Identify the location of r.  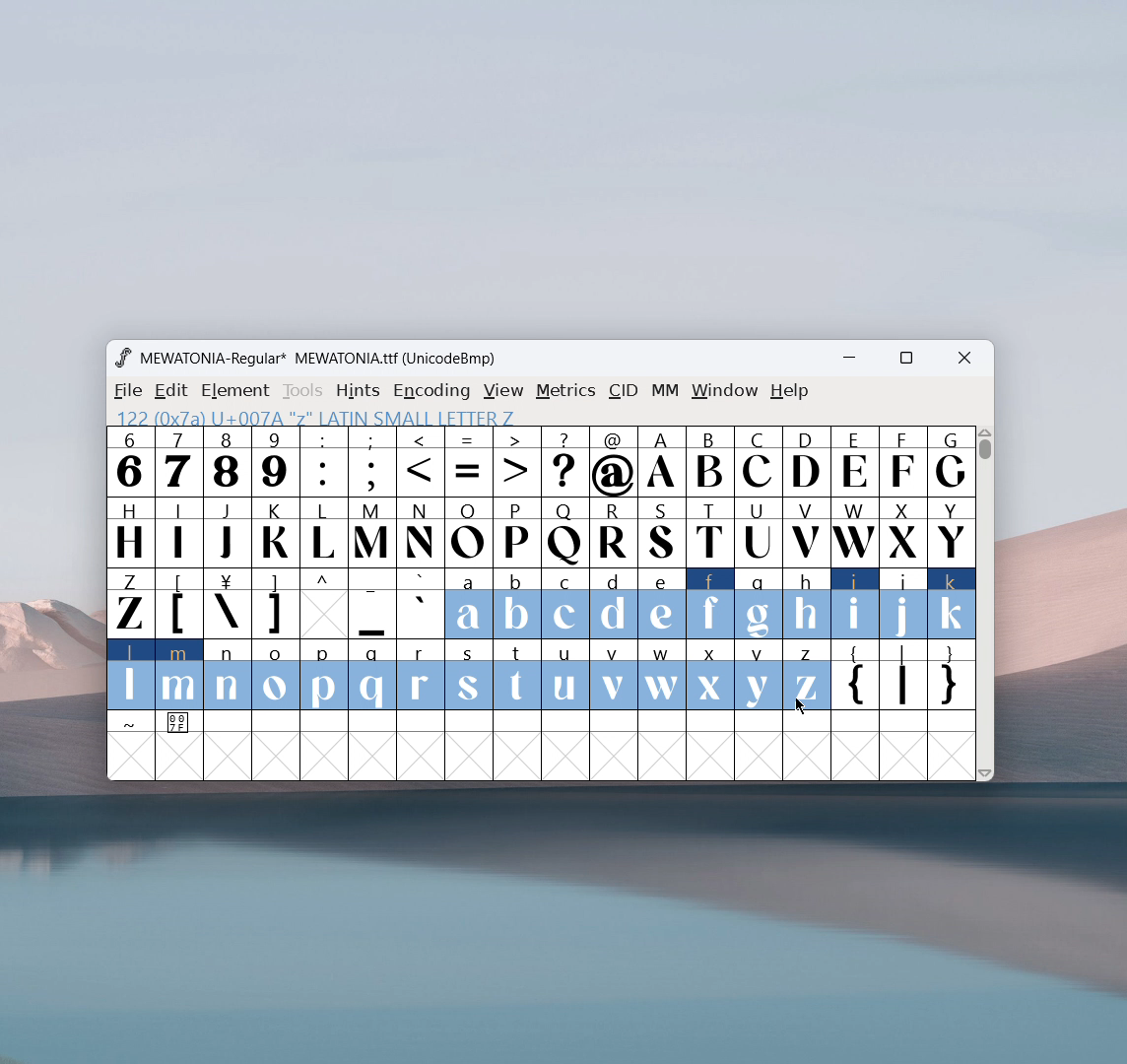
(420, 676).